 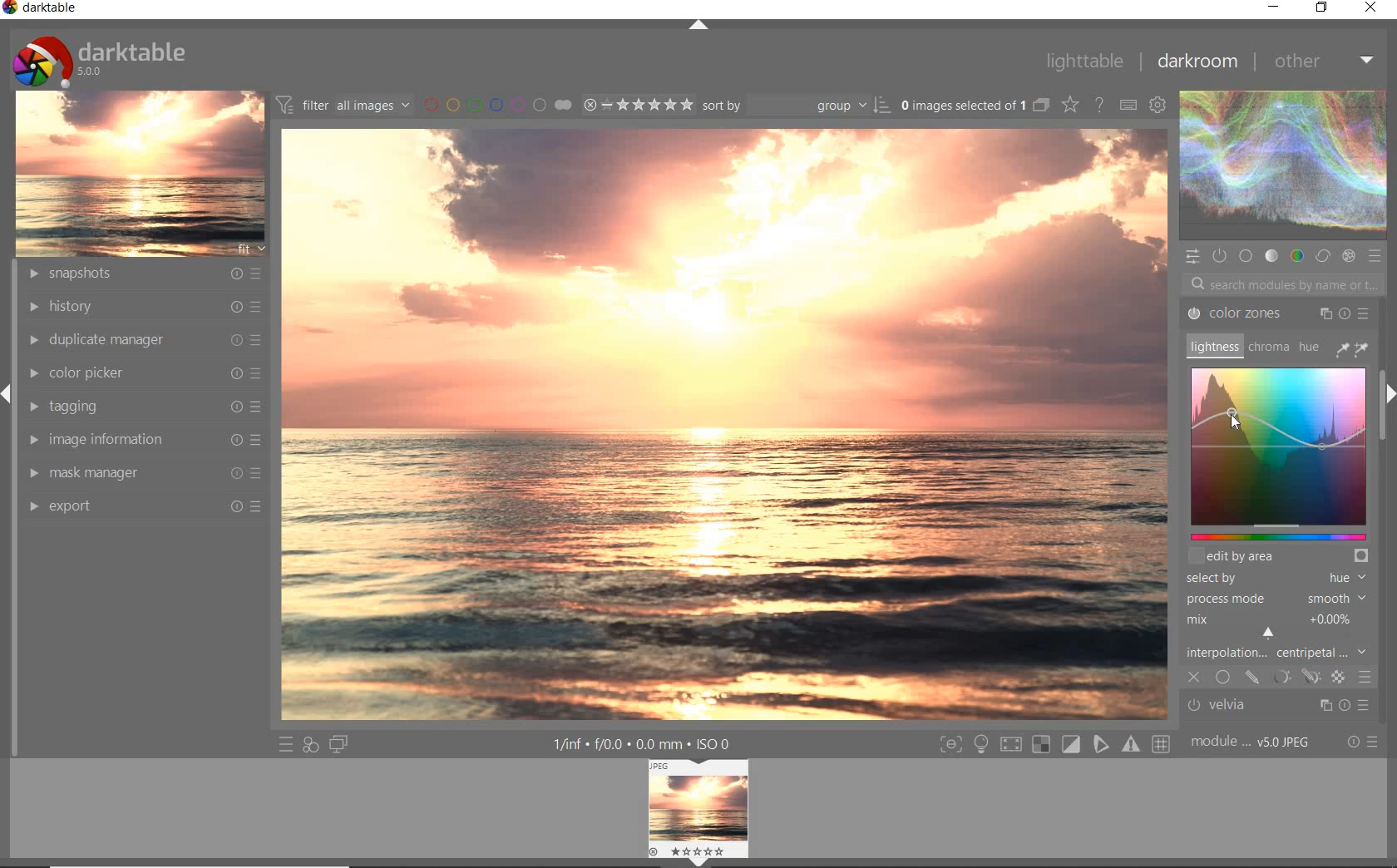 I want to click on lighttable, so click(x=1083, y=61).